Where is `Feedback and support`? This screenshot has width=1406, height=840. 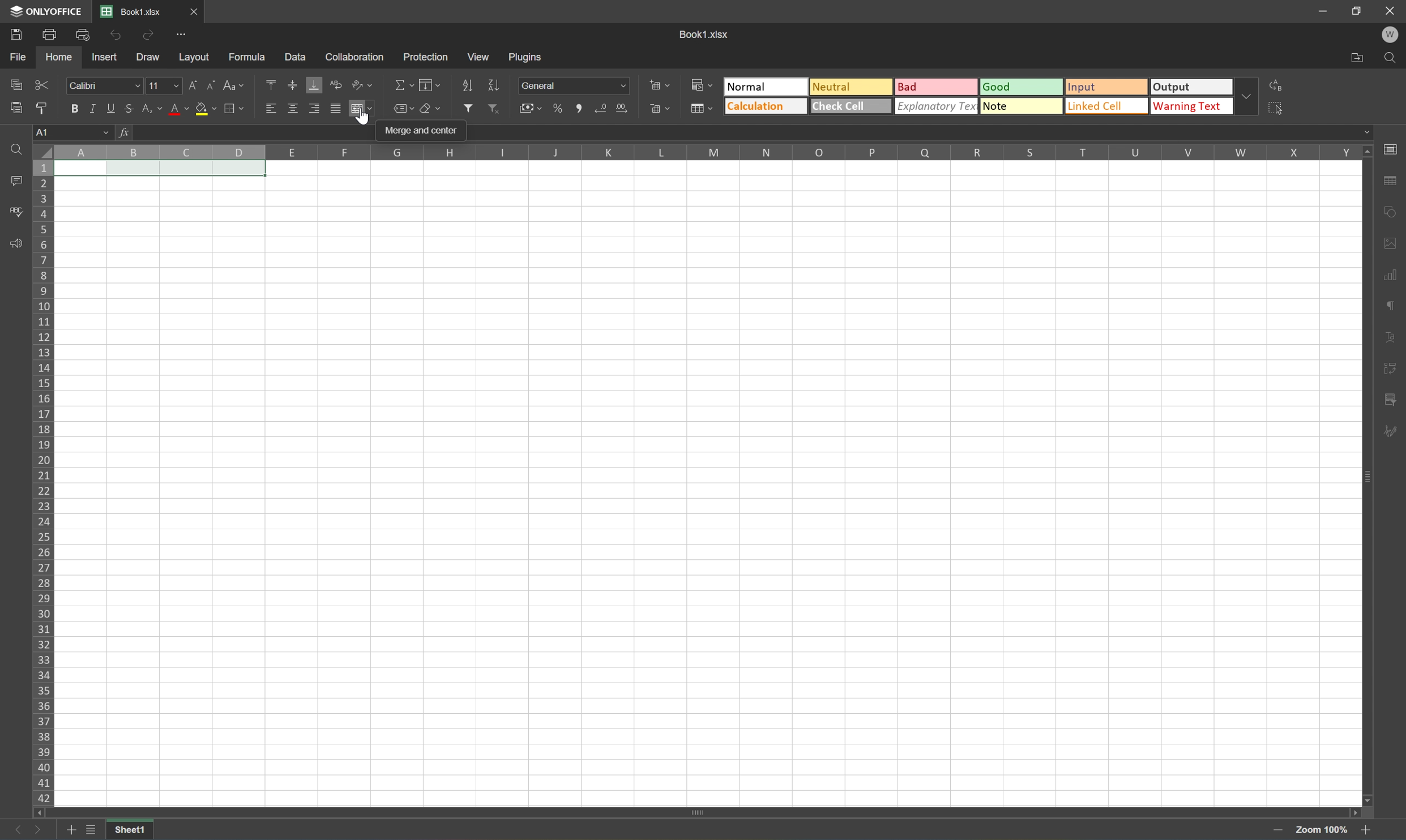
Feedback and support is located at coordinates (16, 243).